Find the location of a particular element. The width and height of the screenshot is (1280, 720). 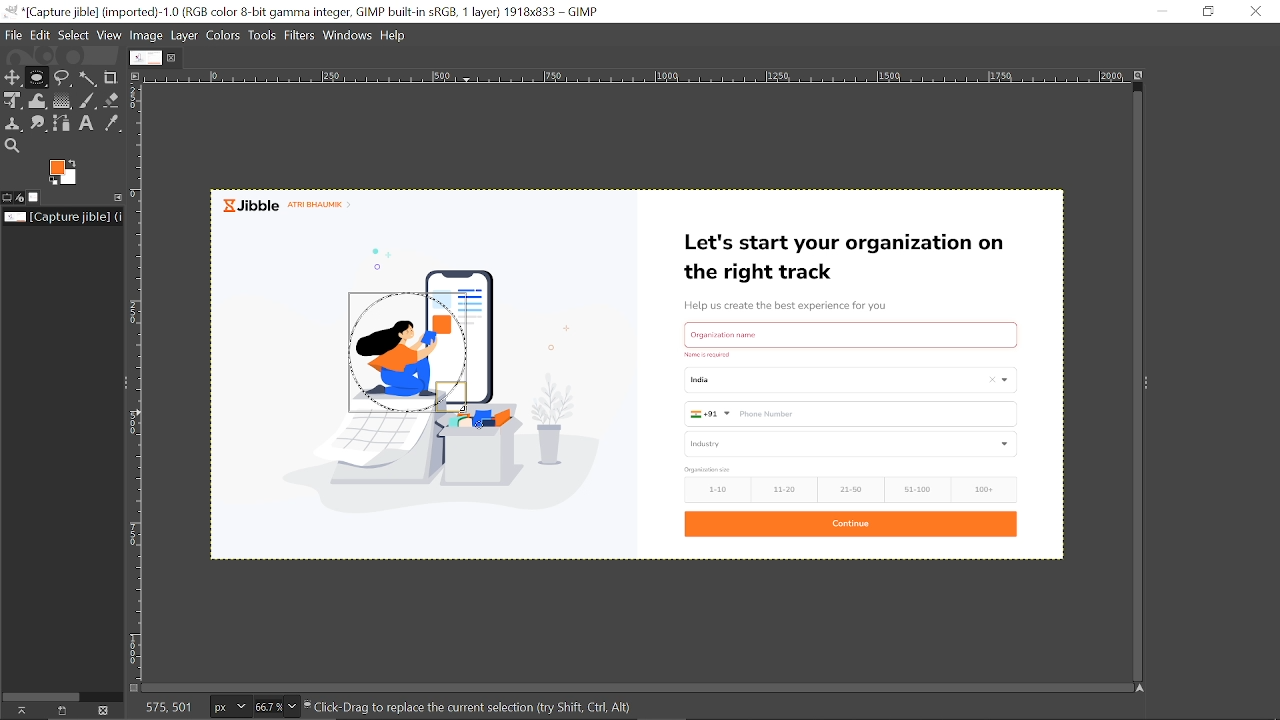

help is located at coordinates (396, 34).